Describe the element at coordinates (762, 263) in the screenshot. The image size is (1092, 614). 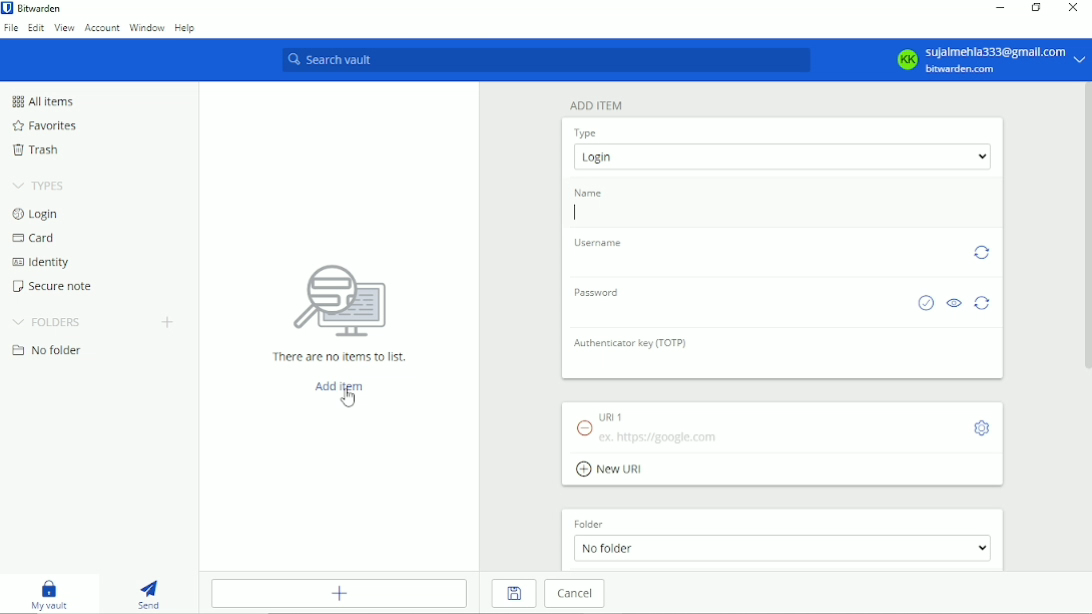
I see `add username` at that location.